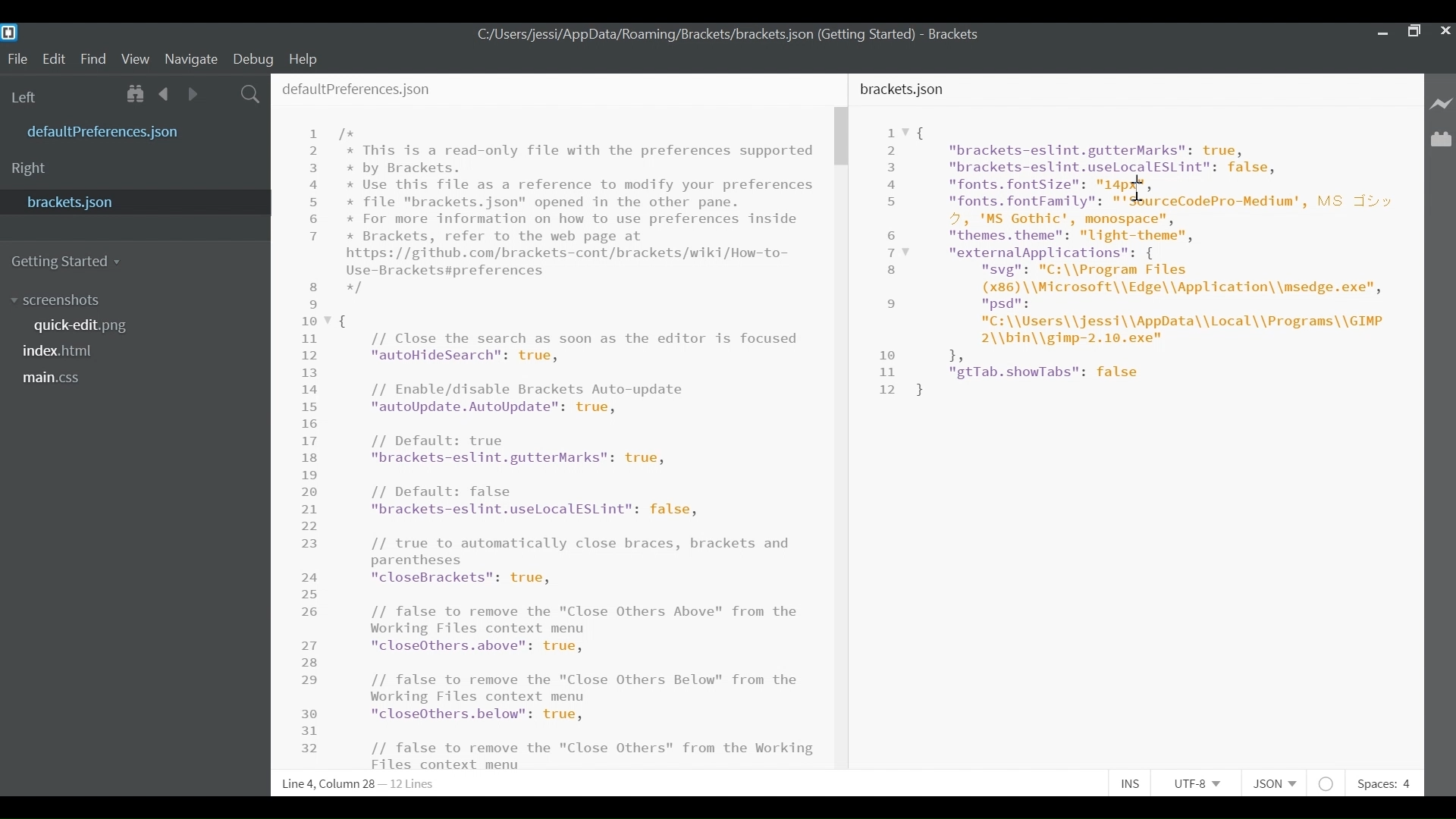  What do you see at coordinates (1412, 30) in the screenshot?
I see `Restore` at bounding box center [1412, 30].